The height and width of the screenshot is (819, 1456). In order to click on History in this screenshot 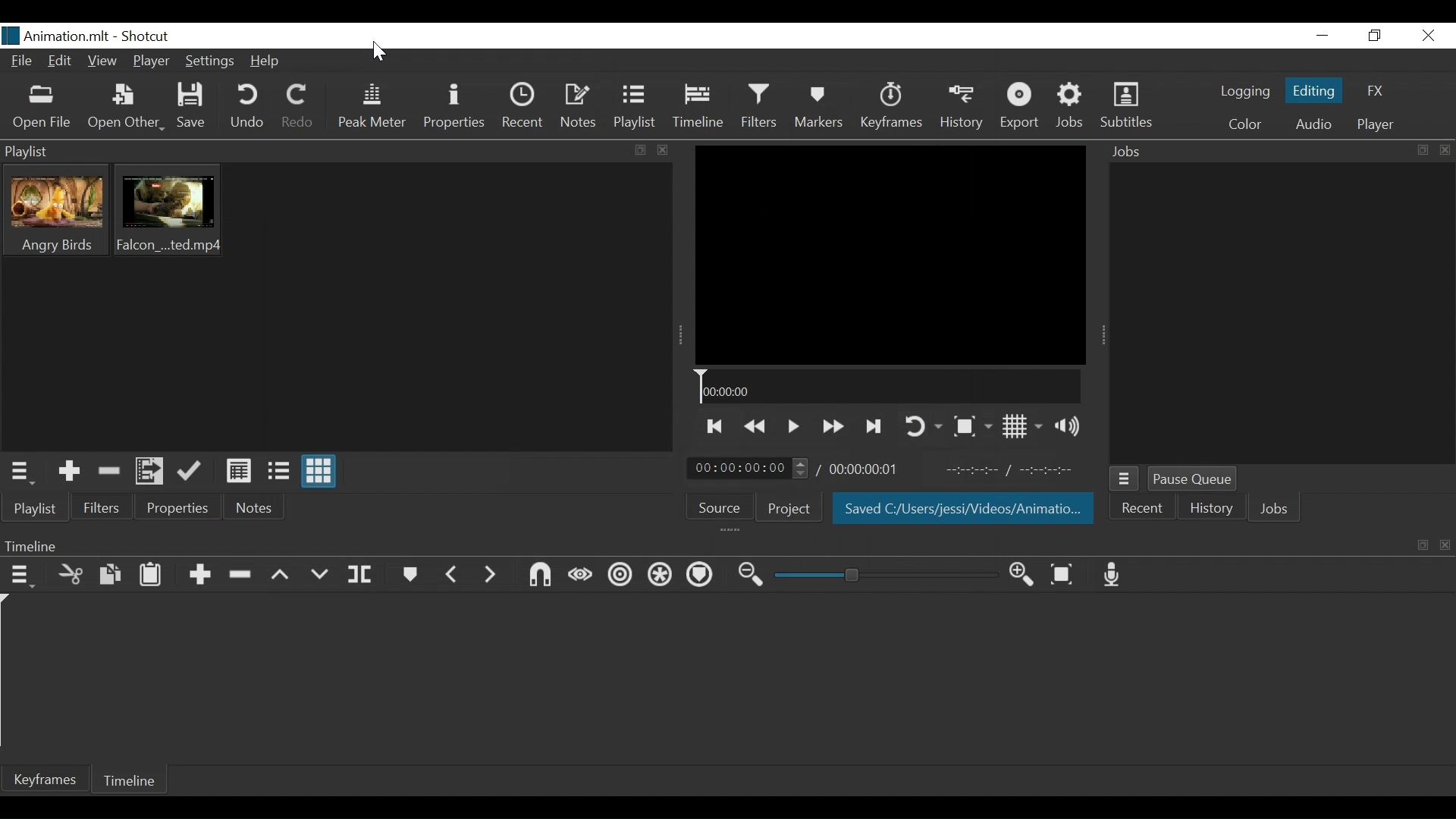, I will do `click(959, 105)`.